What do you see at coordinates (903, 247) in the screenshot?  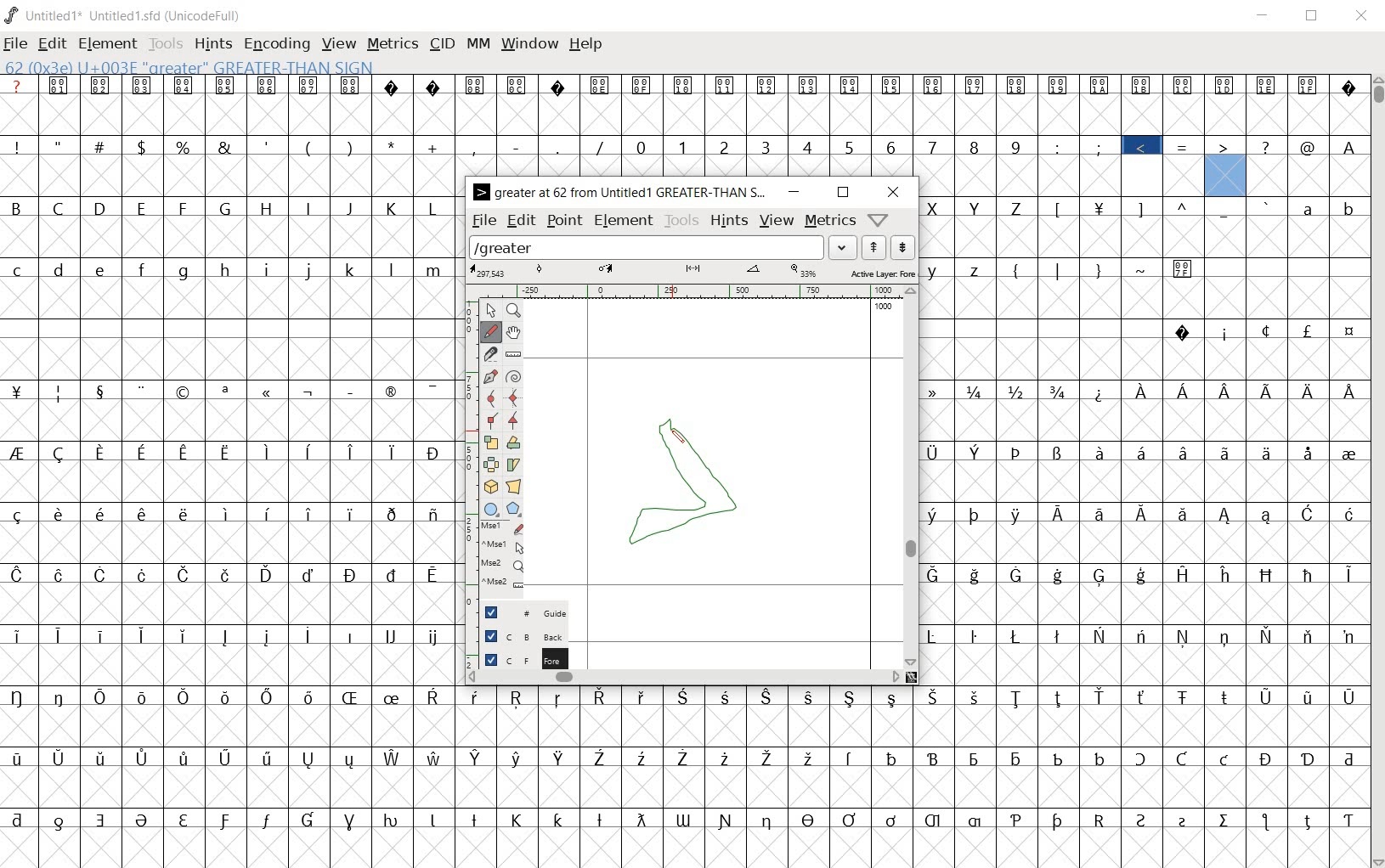 I see `show the previous word on the list` at bounding box center [903, 247].